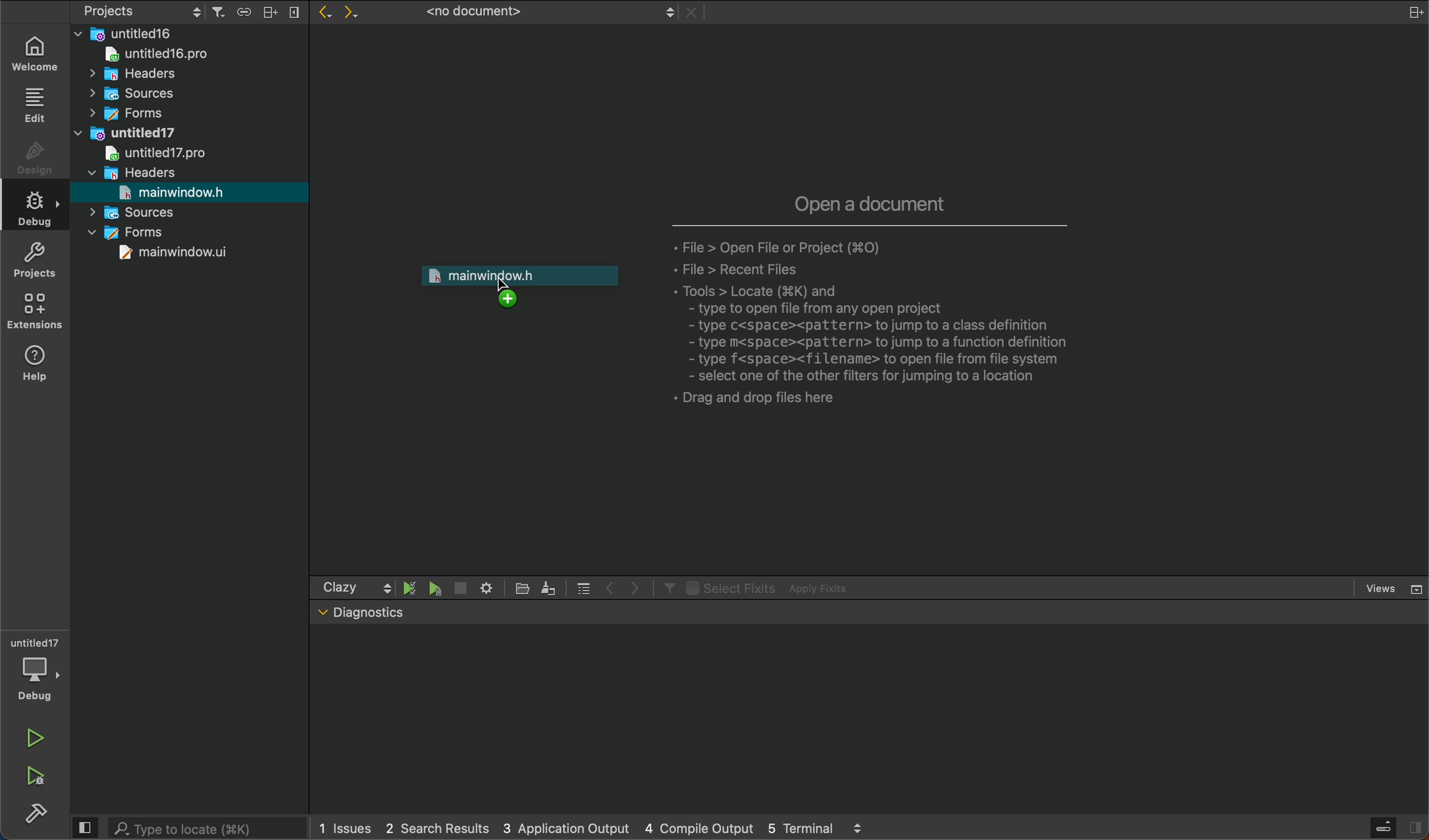  I want to click on Diagnostics, so click(358, 613).